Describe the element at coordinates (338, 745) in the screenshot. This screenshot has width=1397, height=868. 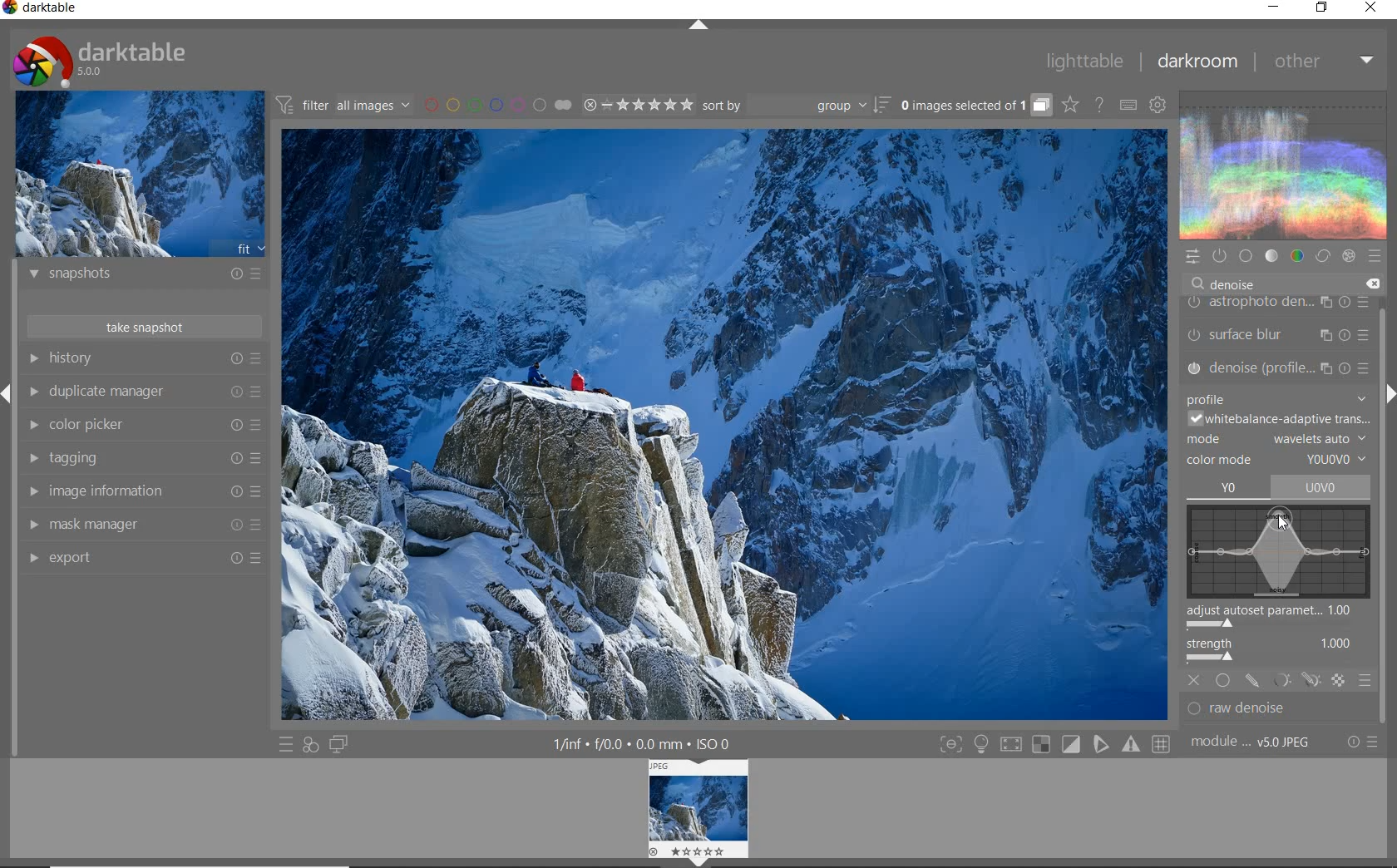
I see `display a second darkroom image window` at that location.